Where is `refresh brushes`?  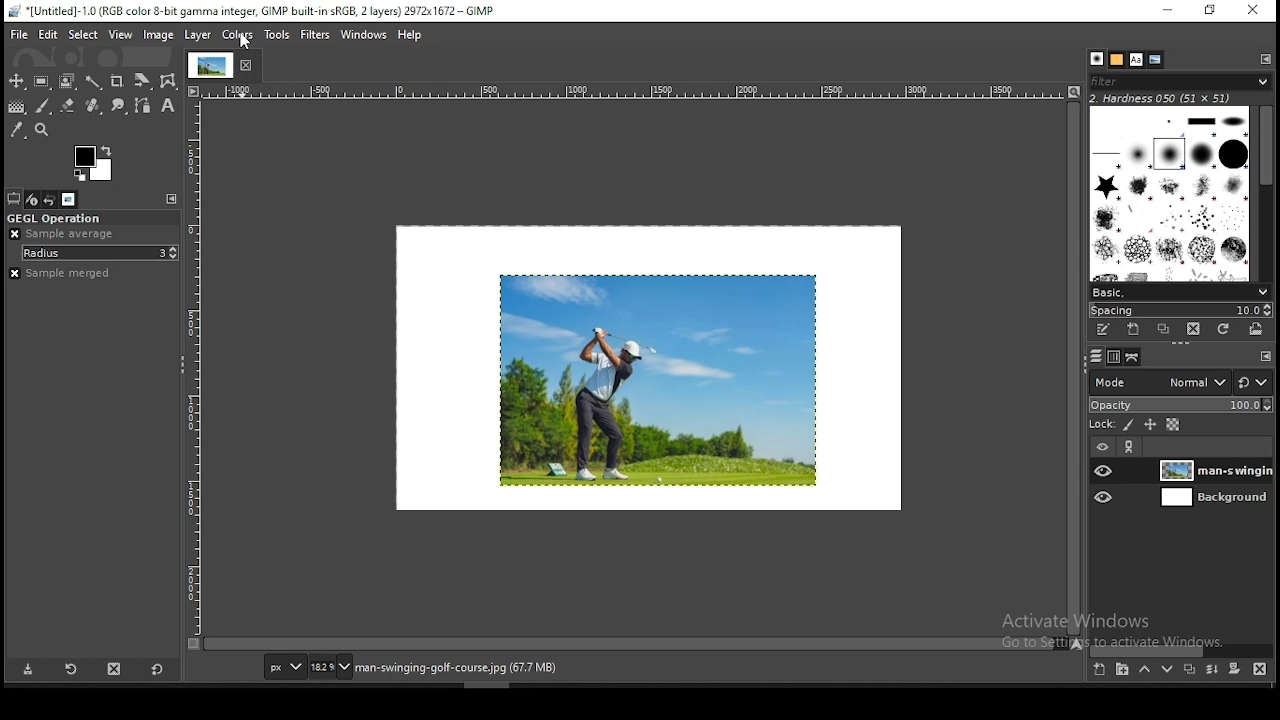
refresh brushes is located at coordinates (1224, 329).